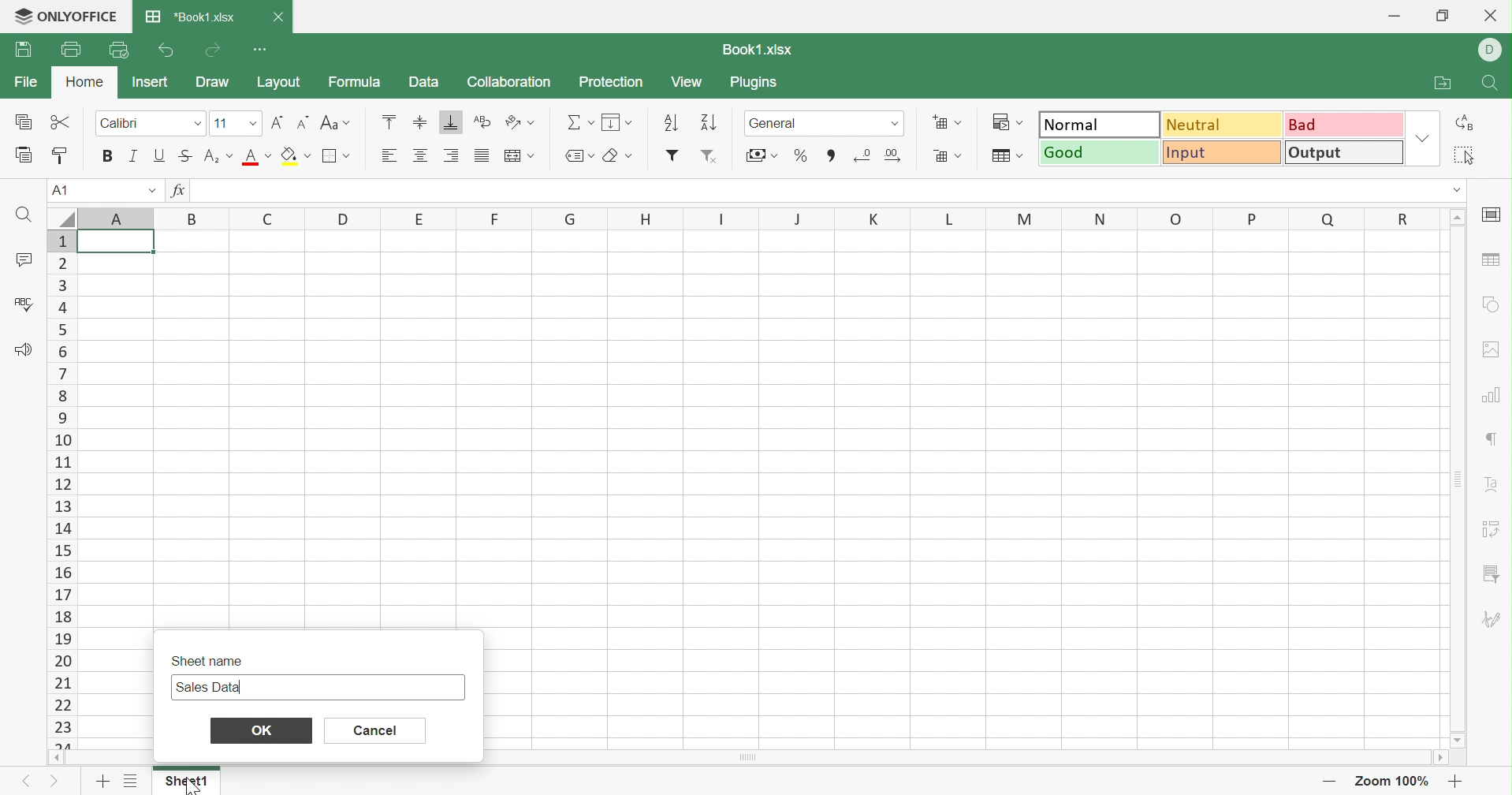 This screenshot has height=795, width=1512. What do you see at coordinates (265, 729) in the screenshot?
I see `OK` at bounding box center [265, 729].